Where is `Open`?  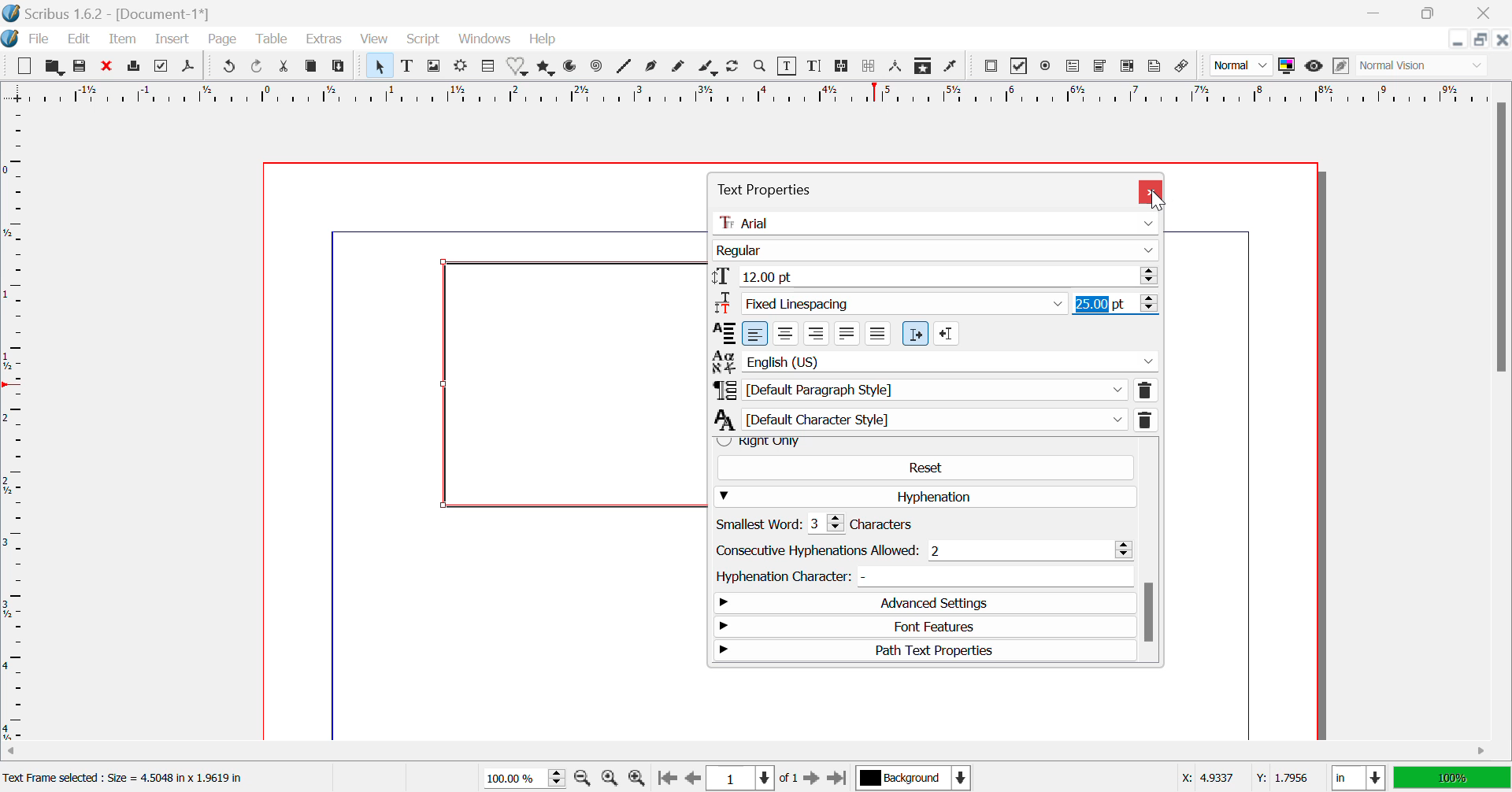 Open is located at coordinates (54, 66).